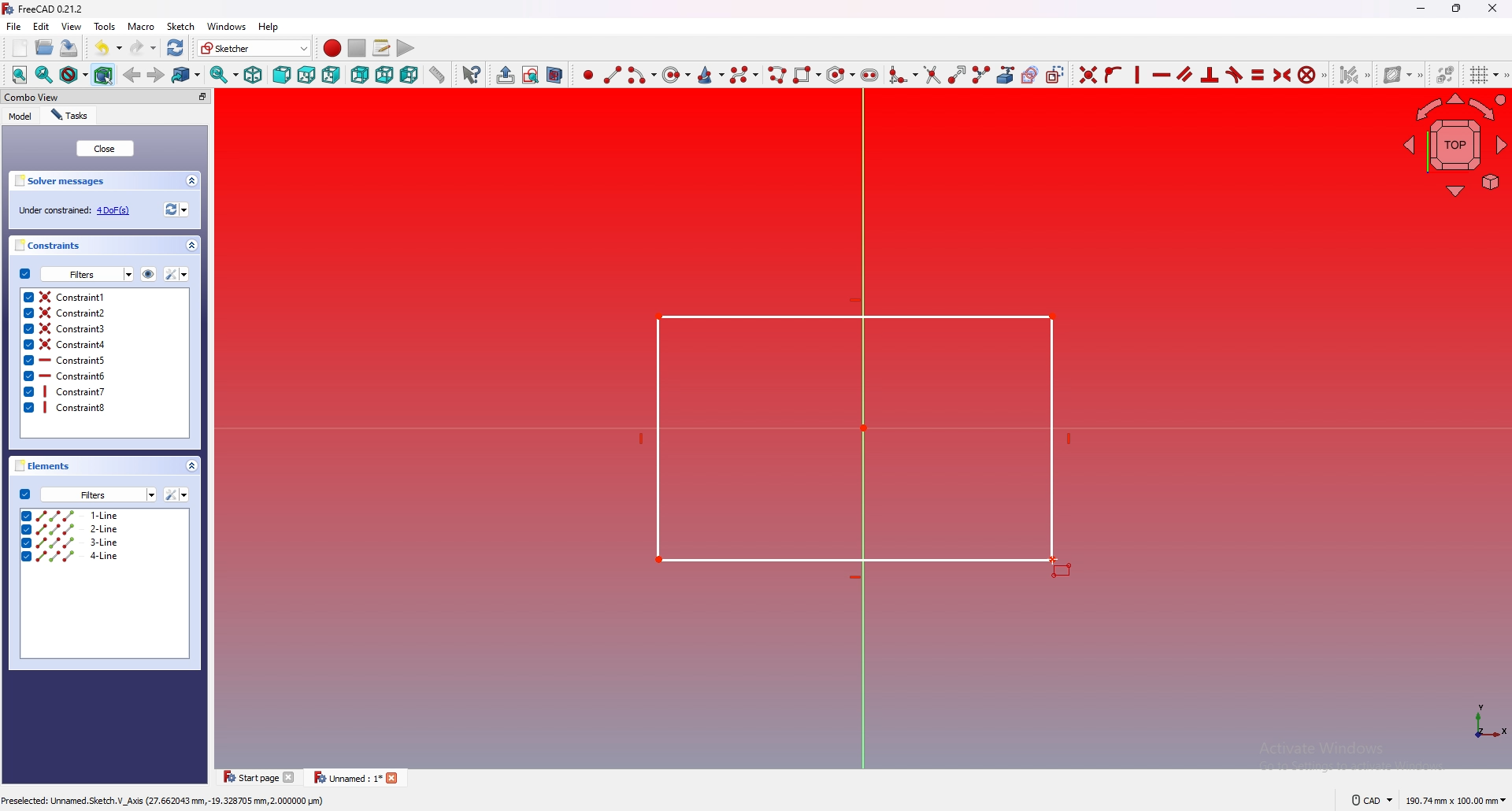 Image resolution: width=1512 pixels, height=811 pixels. What do you see at coordinates (254, 75) in the screenshot?
I see `isometric` at bounding box center [254, 75].